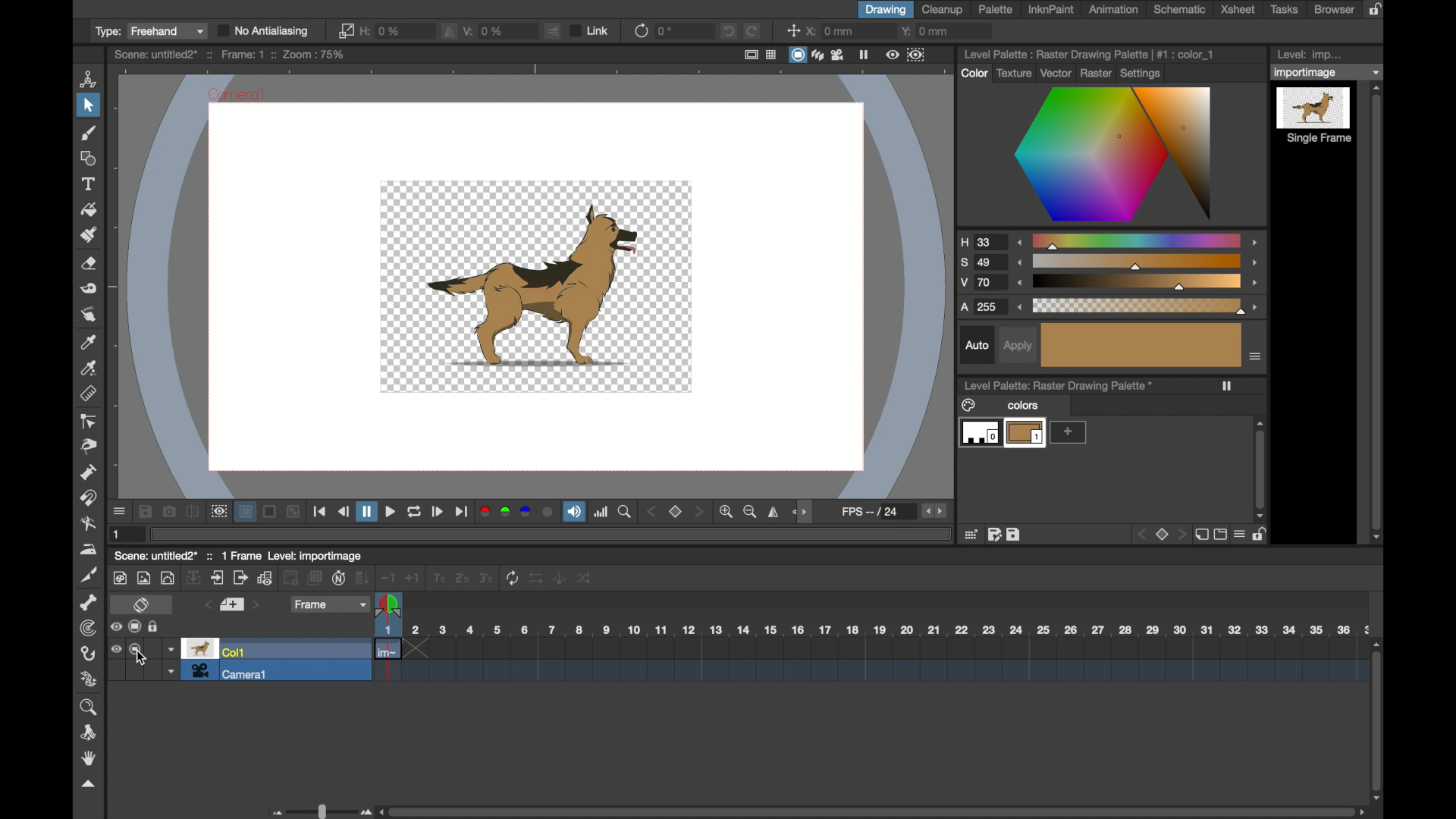  What do you see at coordinates (136, 649) in the screenshot?
I see `screen` at bounding box center [136, 649].